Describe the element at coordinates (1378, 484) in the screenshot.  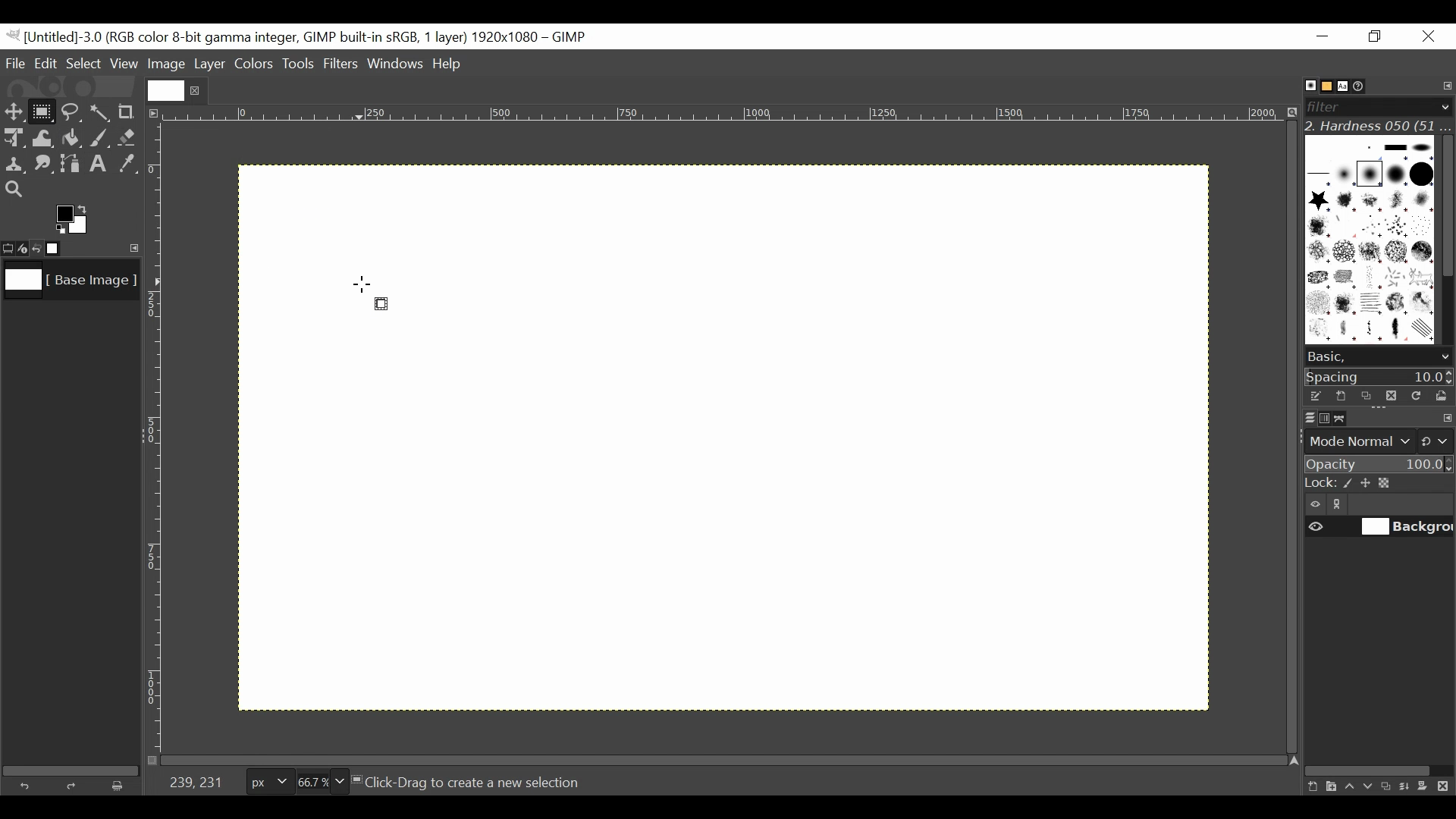
I see `Lock` at that location.